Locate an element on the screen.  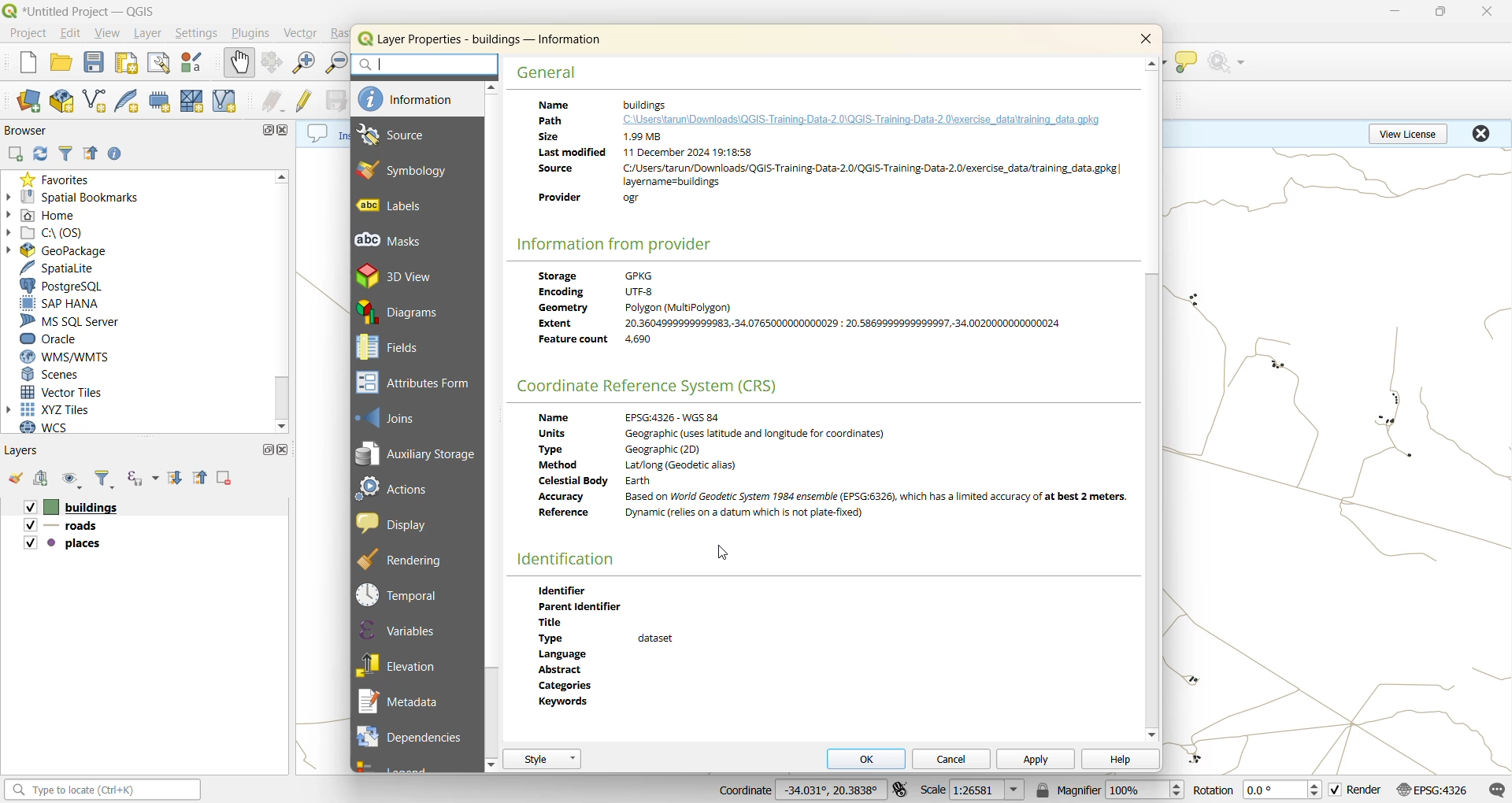
metadata is located at coordinates (642, 654).